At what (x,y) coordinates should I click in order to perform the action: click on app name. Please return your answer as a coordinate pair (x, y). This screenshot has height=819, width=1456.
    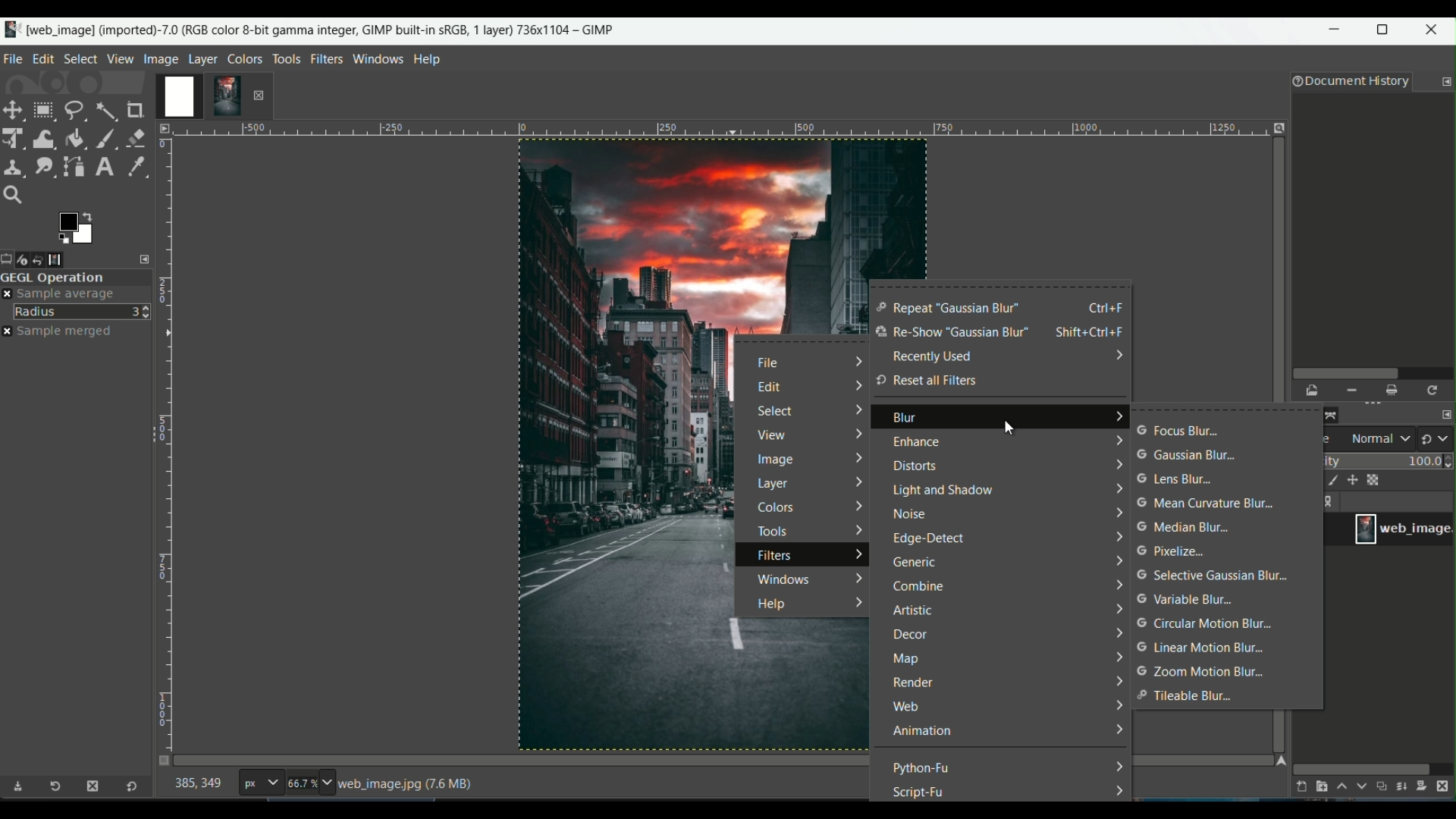
    Looking at the image, I should click on (309, 28).